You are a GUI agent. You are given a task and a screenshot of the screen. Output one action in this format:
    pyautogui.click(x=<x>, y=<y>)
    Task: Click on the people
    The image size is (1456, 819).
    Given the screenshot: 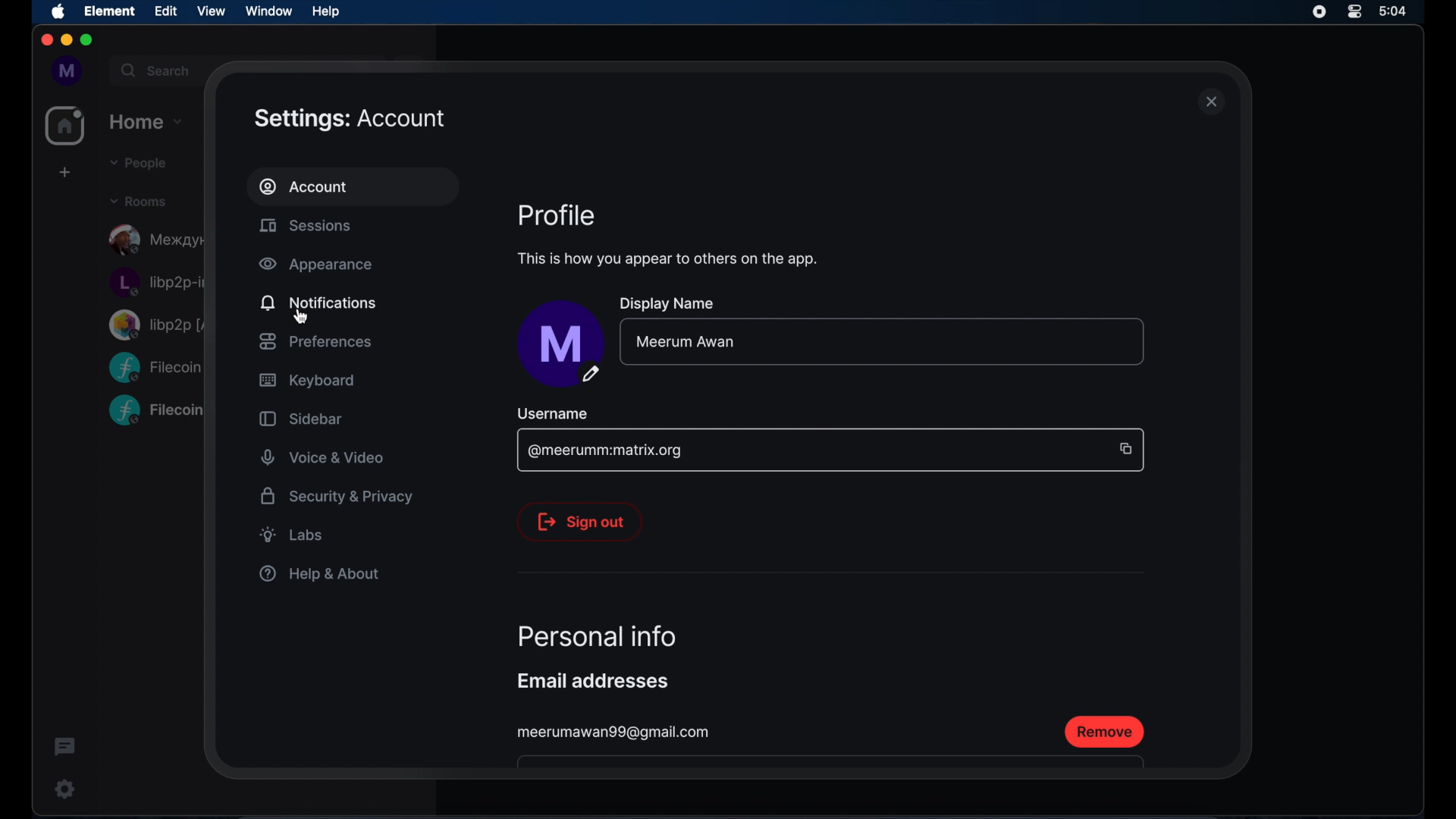 What is the action you would take?
    pyautogui.click(x=136, y=163)
    